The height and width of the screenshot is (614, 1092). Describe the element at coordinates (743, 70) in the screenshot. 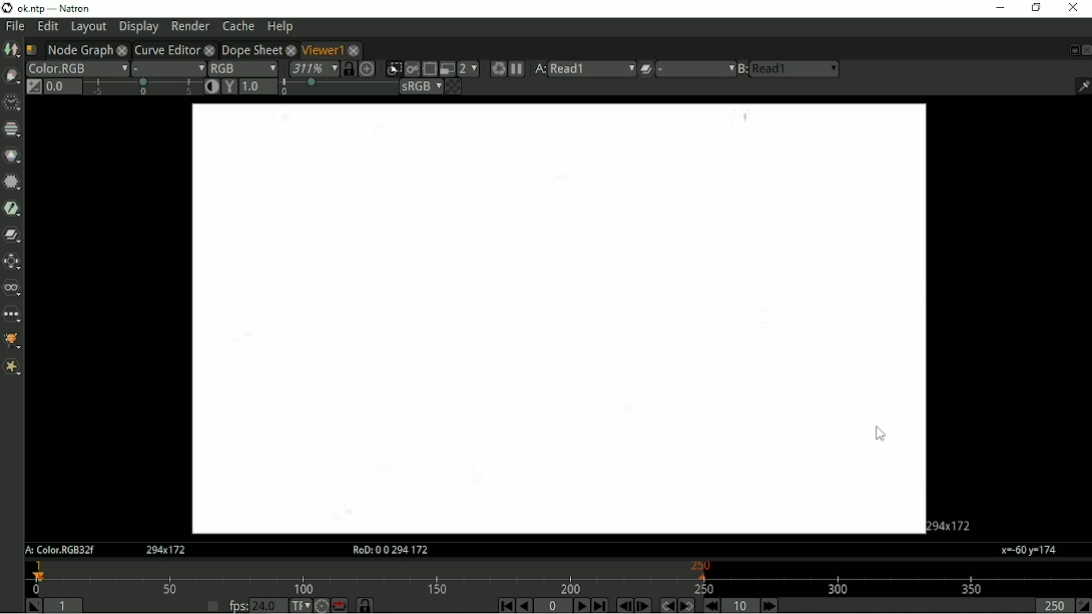

I see `Viewer input B` at that location.